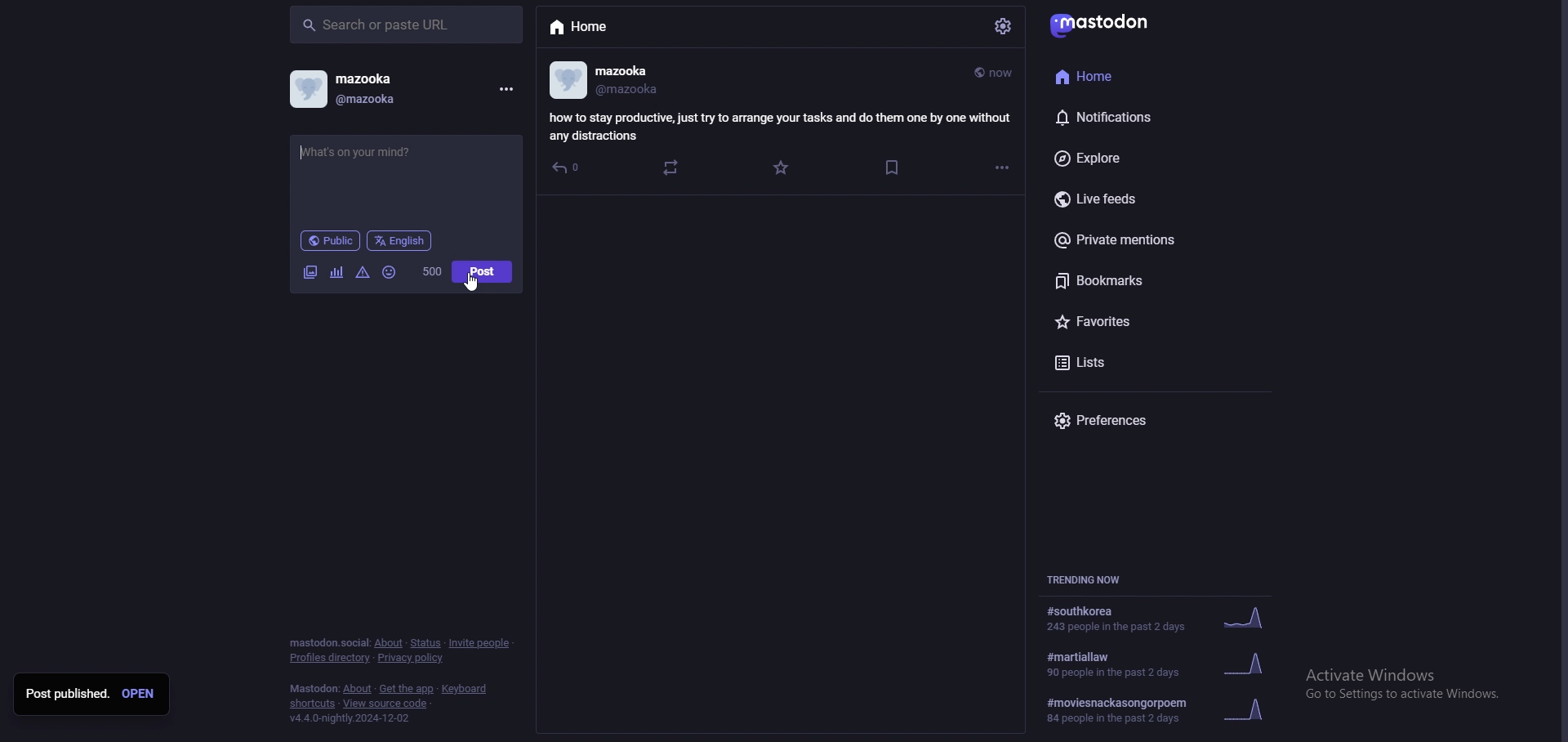 Image resolution: width=1568 pixels, height=742 pixels. I want to click on profiles directory, so click(331, 658).